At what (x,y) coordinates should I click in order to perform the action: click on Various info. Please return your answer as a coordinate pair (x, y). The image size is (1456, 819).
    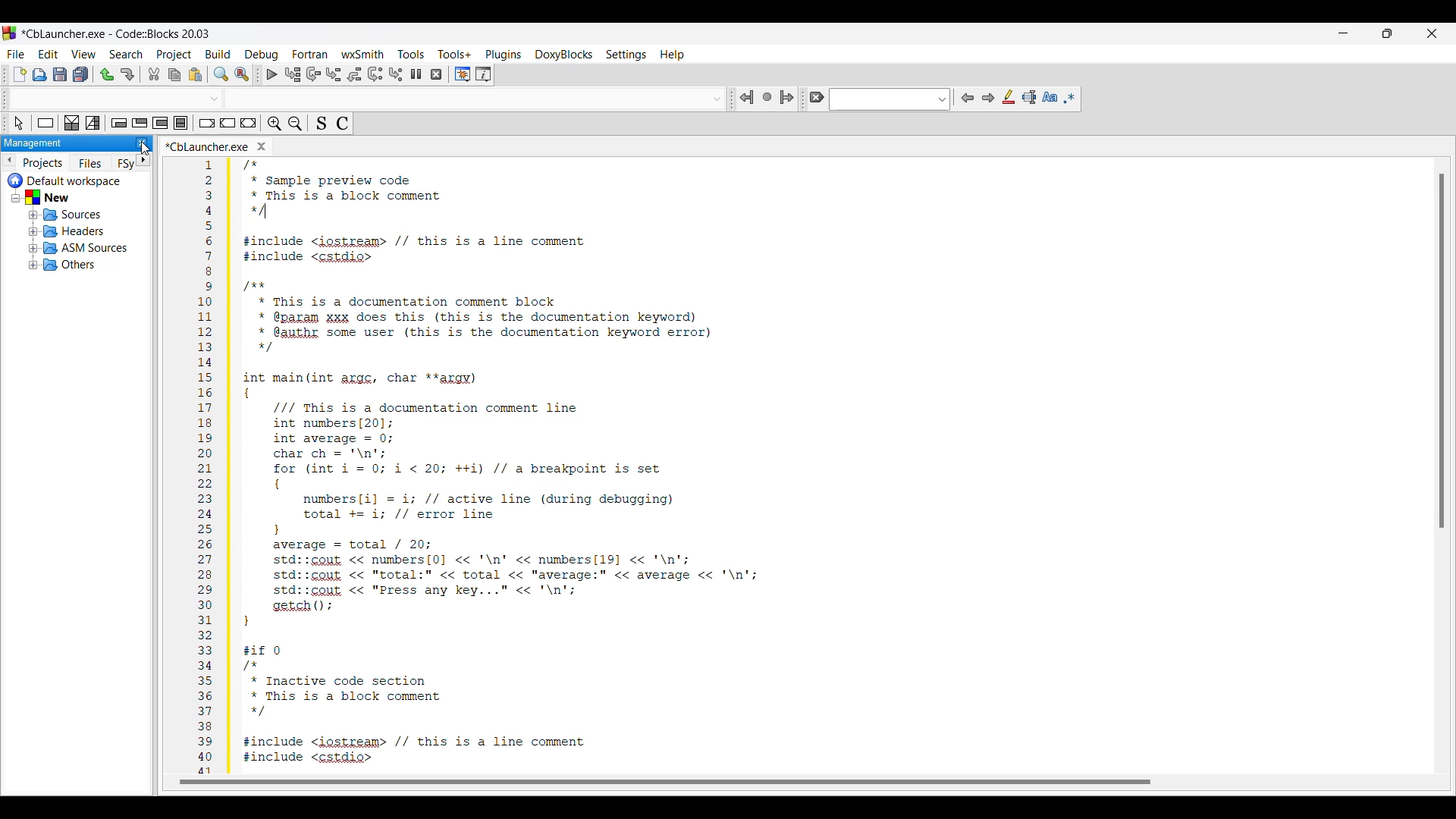
    Looking at the image, I should click on (483, 74).